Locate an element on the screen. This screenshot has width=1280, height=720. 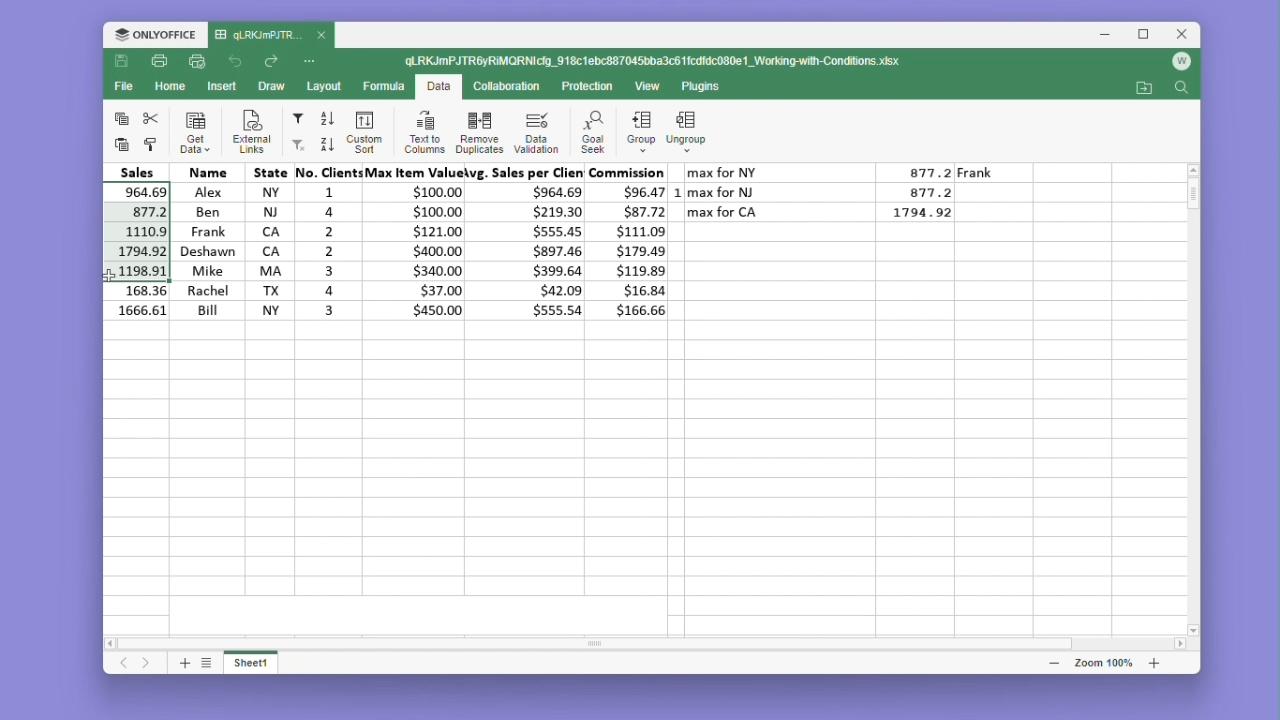
Protection is located at coordinates (582, 87).